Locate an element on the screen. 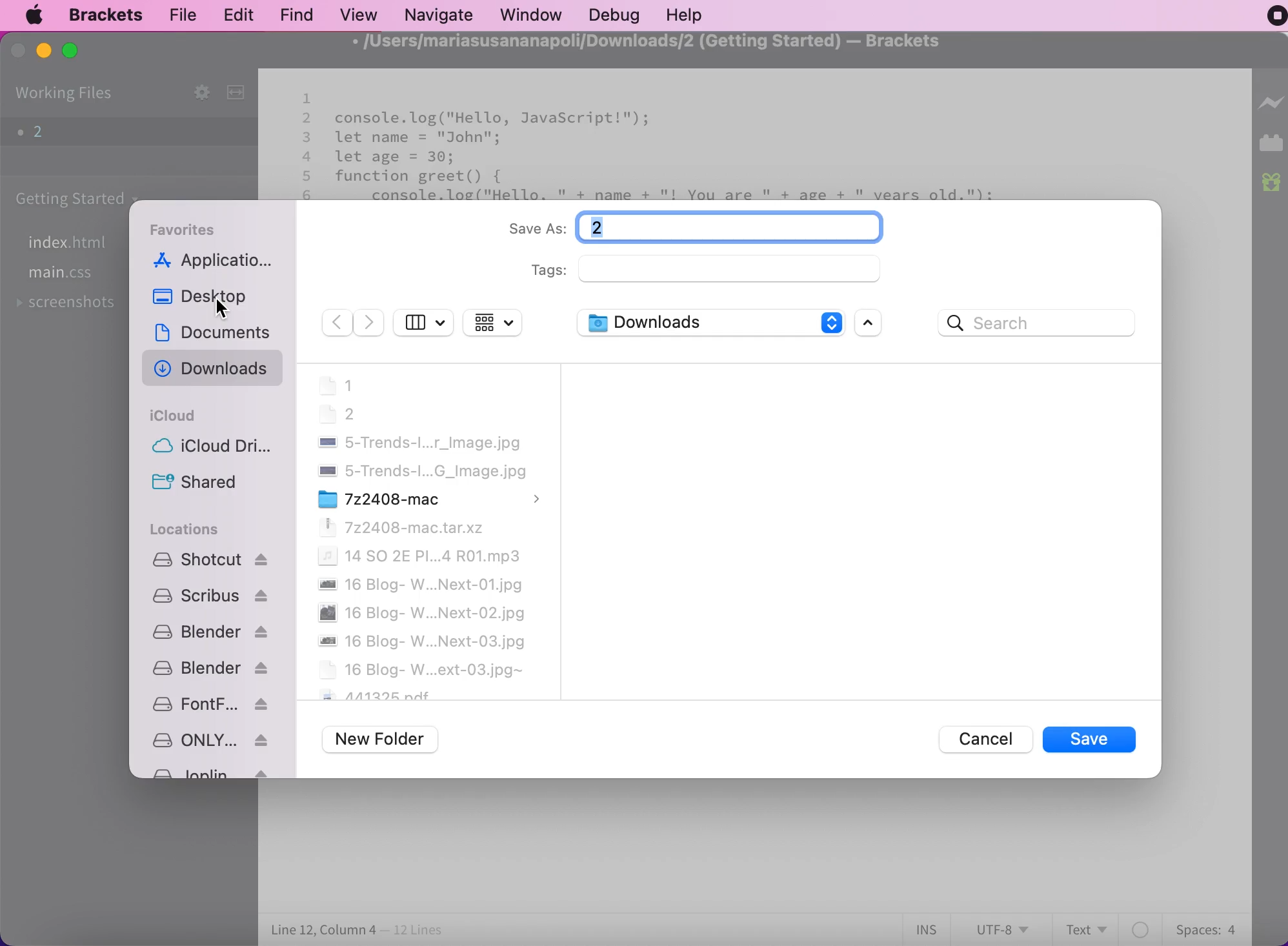 The height and width of the screenshot is (946, 1288). blender is located at coordinates (210, 669).